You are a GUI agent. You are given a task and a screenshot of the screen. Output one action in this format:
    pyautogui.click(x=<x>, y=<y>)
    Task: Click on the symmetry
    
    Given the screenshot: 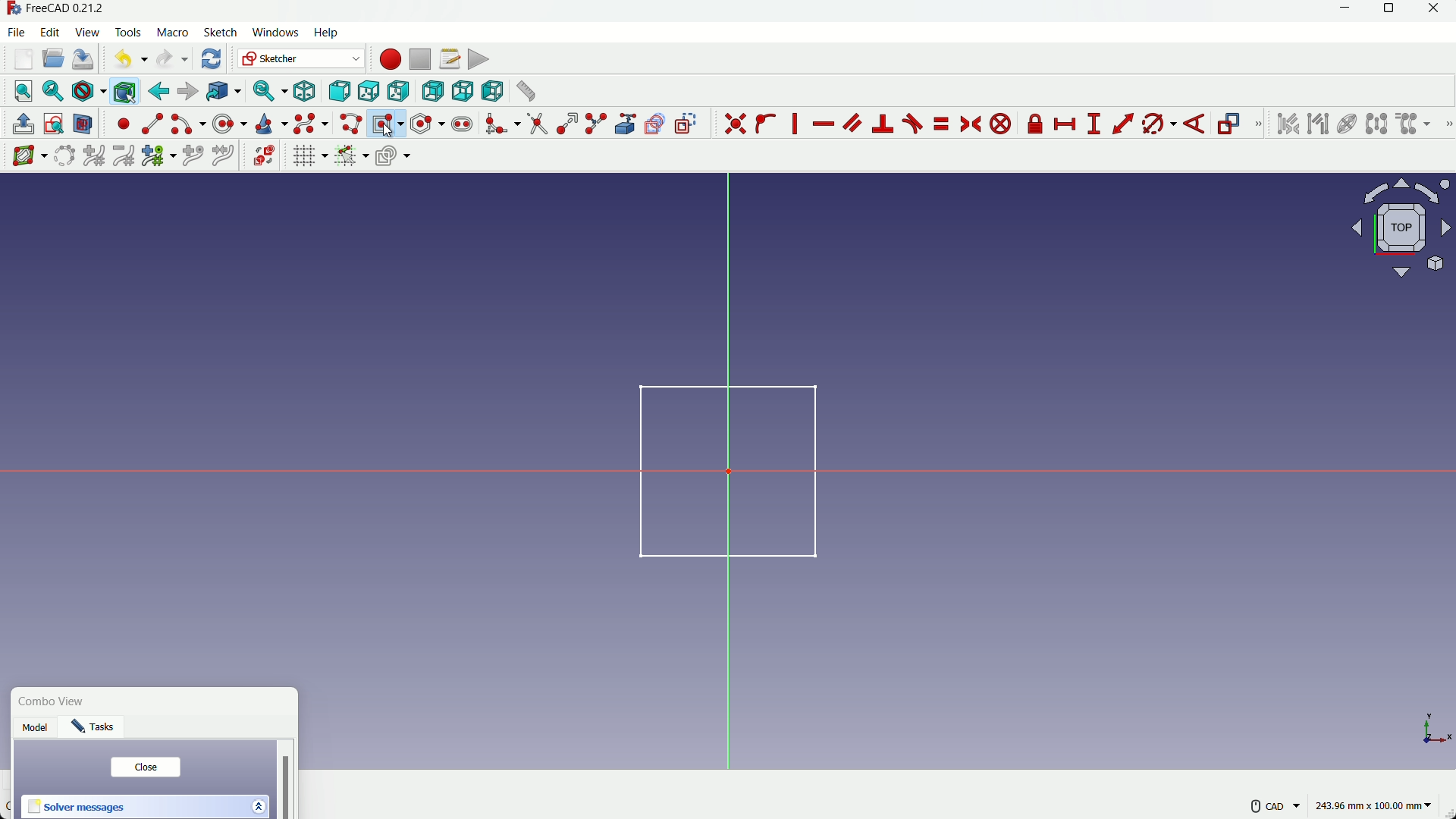 What is the action you would take?
    pyautogui.click(x=1376, y=124)
    